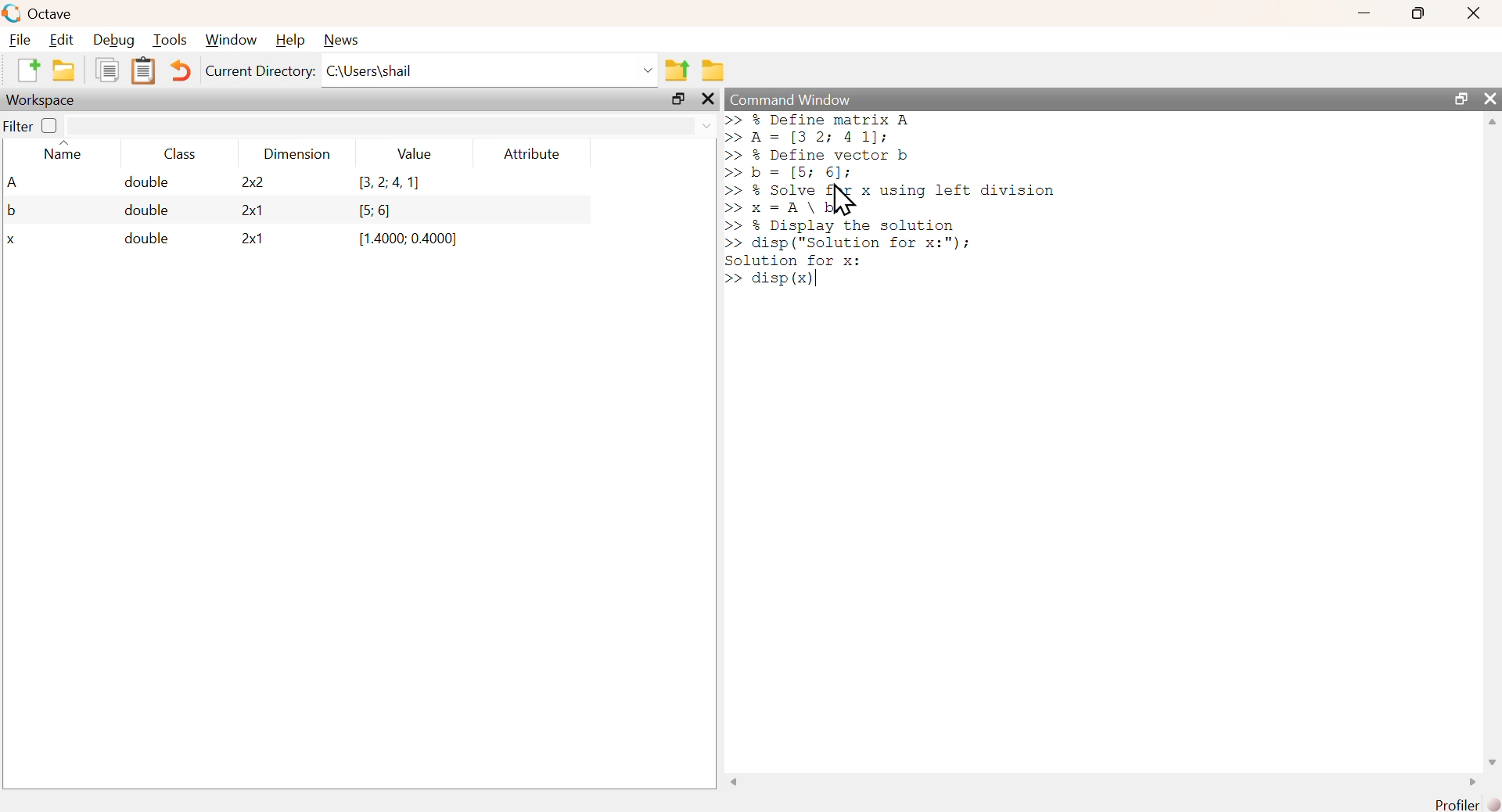  What do you see at coordinates (171, 40) in the screenshot?
I see `tools` at bounding box center [171, 40].